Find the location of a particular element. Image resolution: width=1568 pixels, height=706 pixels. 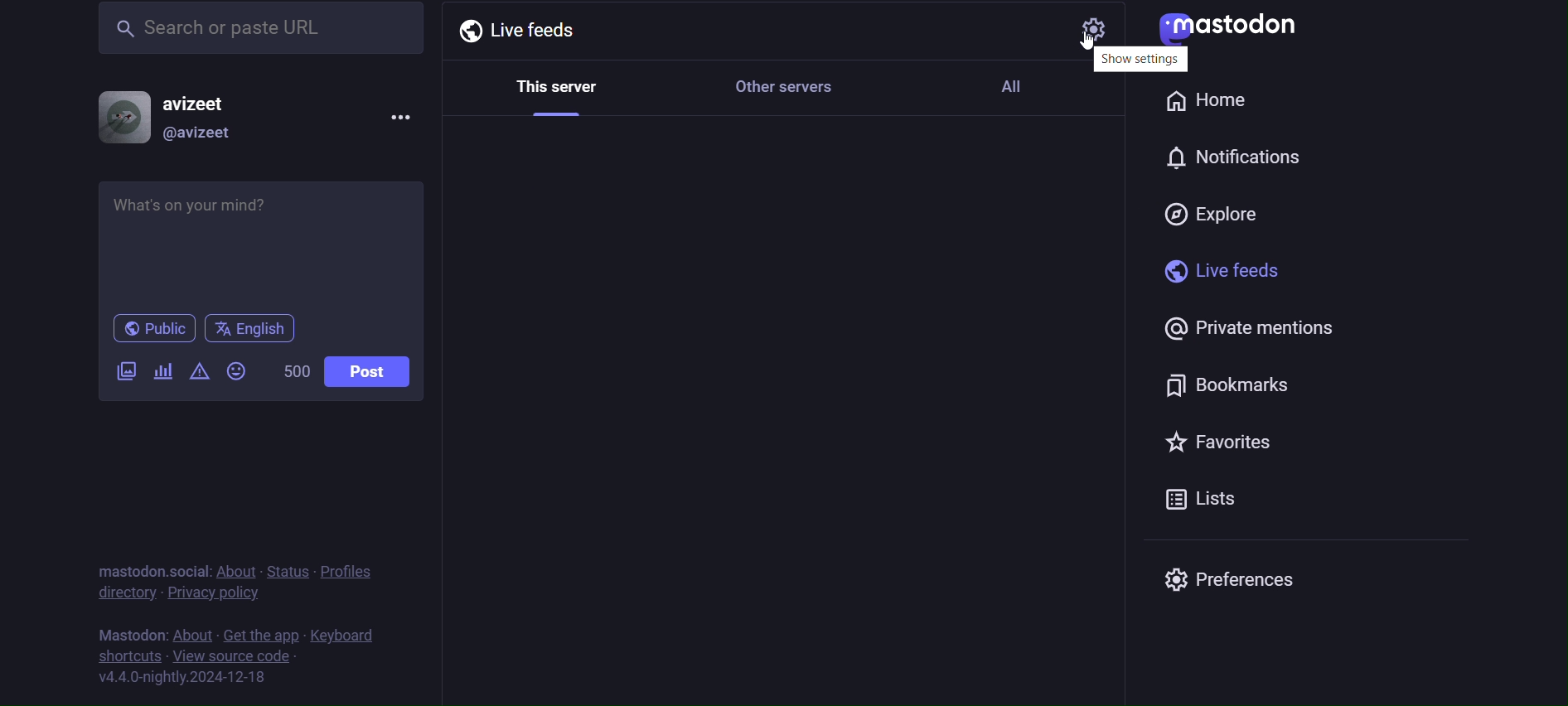

setting is located at coordinates (1091, 31).